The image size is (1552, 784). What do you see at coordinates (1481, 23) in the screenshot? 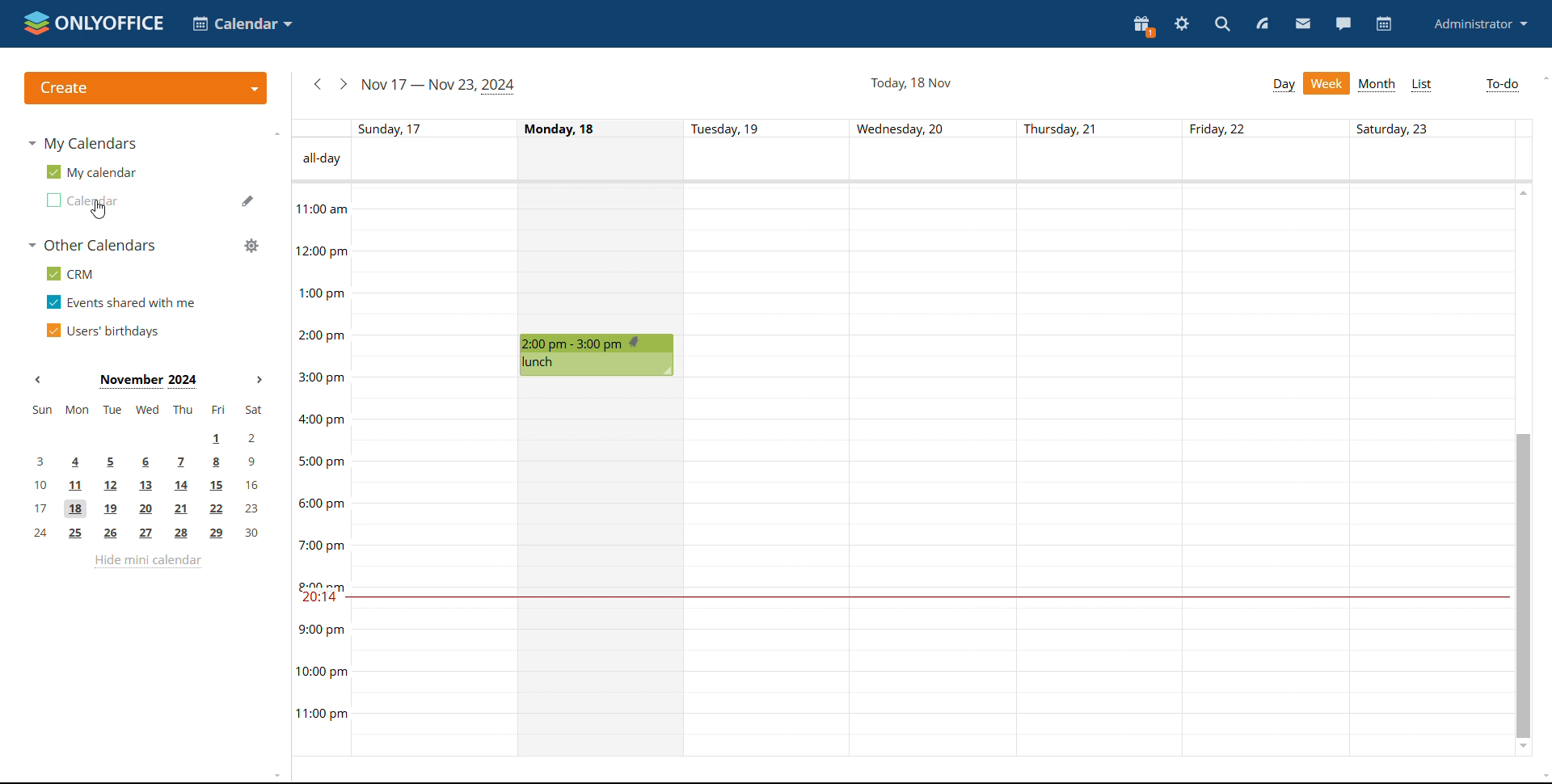
I see `profile` at bounding box center [1481, 23].